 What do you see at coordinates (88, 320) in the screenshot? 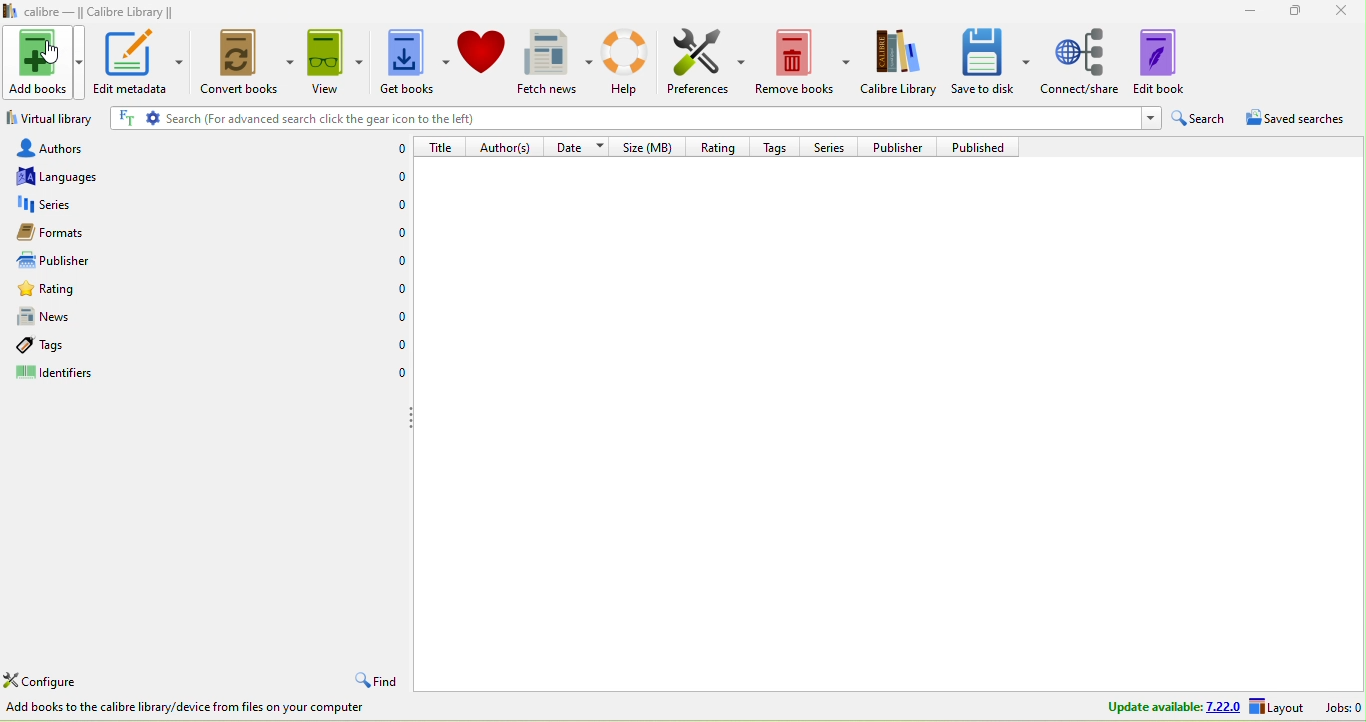
I see `news` at bounding box center [88, 320].